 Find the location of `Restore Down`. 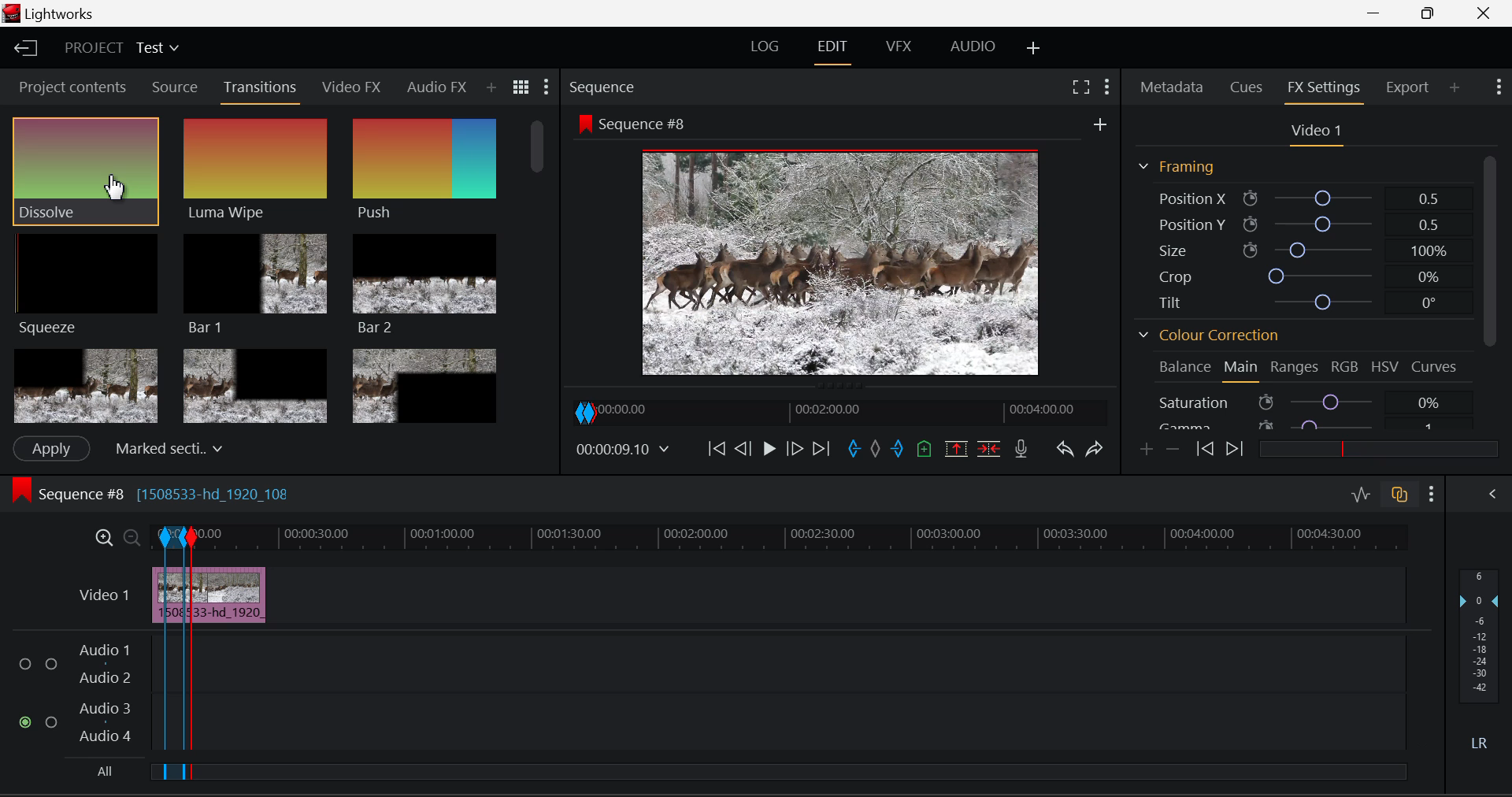

Restore Down is located at coordinates (1379, 13).